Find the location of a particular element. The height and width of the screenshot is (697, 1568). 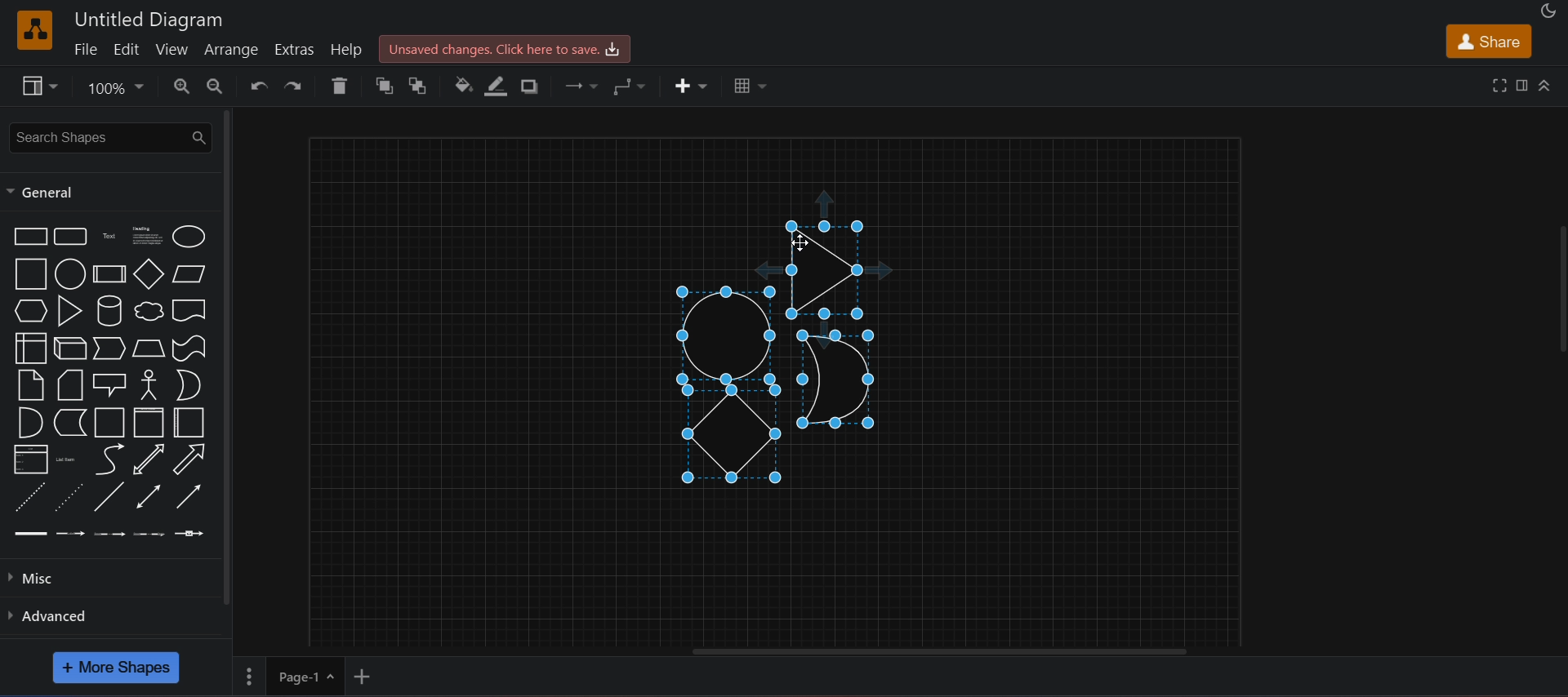

file is located at coordinates (83, 49).